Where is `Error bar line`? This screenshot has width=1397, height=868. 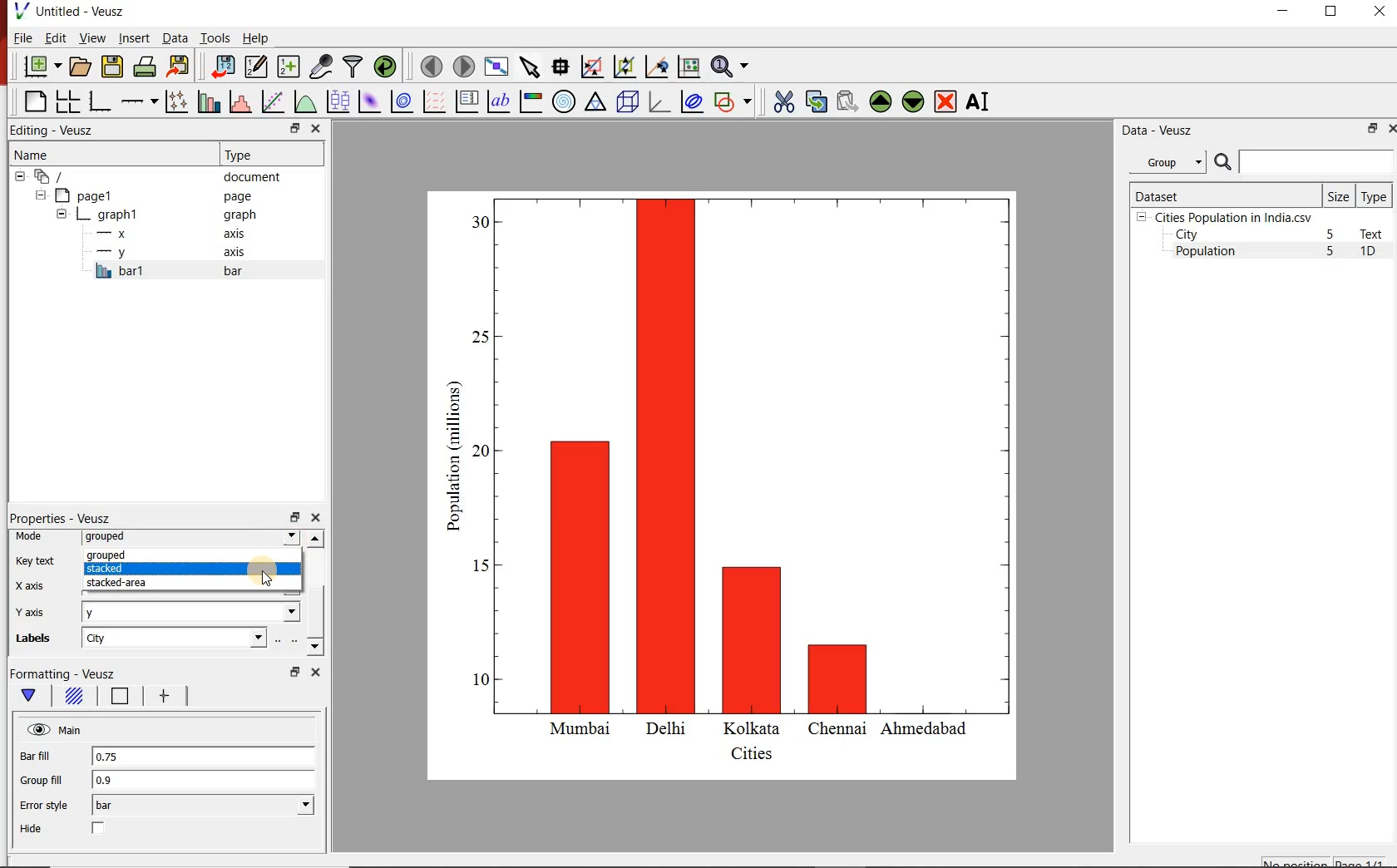 Error bar line is located at coordinates (163, 698).